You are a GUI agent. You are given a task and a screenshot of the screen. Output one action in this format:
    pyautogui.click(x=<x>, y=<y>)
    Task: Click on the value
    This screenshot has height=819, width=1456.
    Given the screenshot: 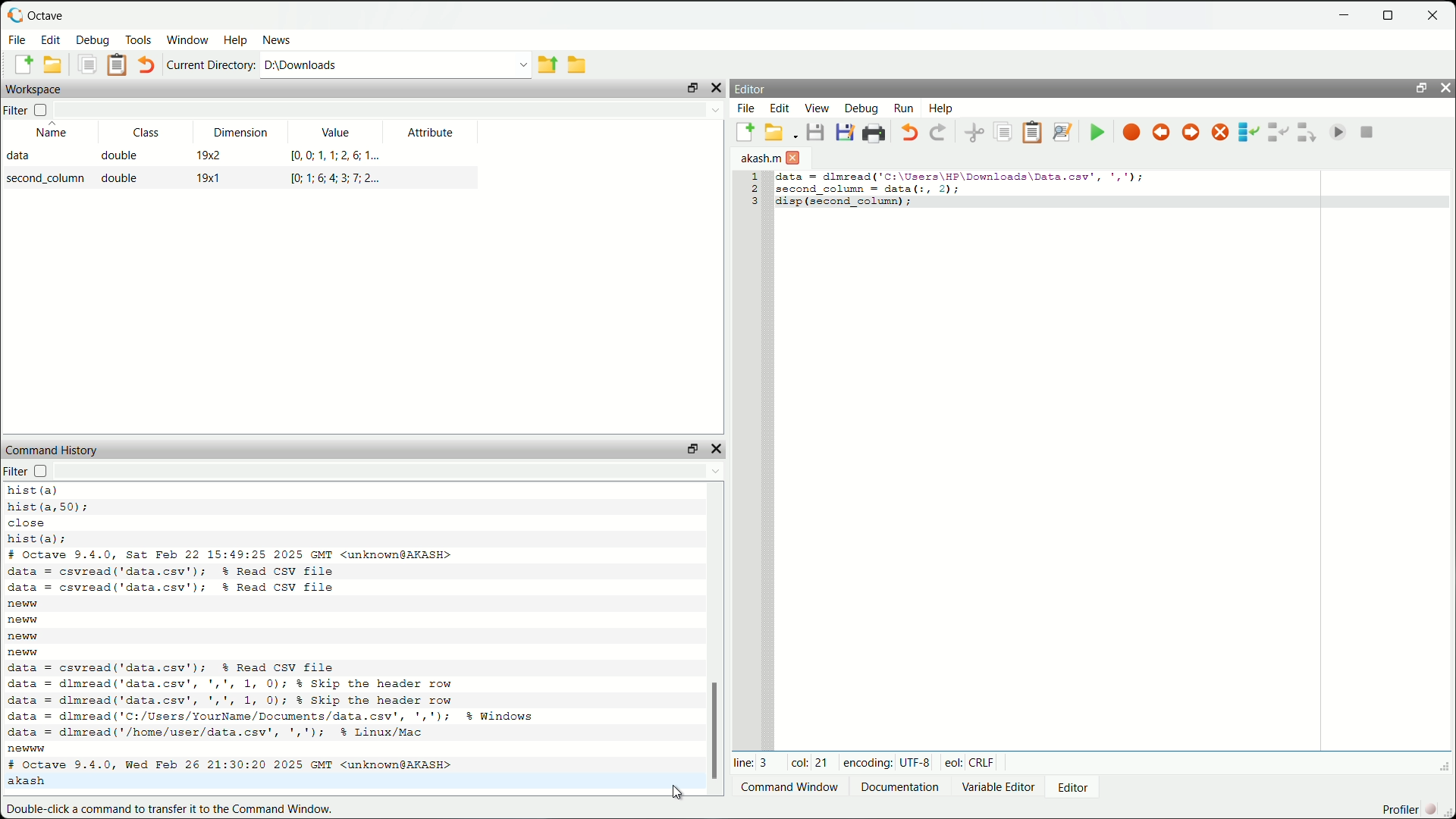 What is the action you would take?
    pyautogui.click(x=334, y=134)
    